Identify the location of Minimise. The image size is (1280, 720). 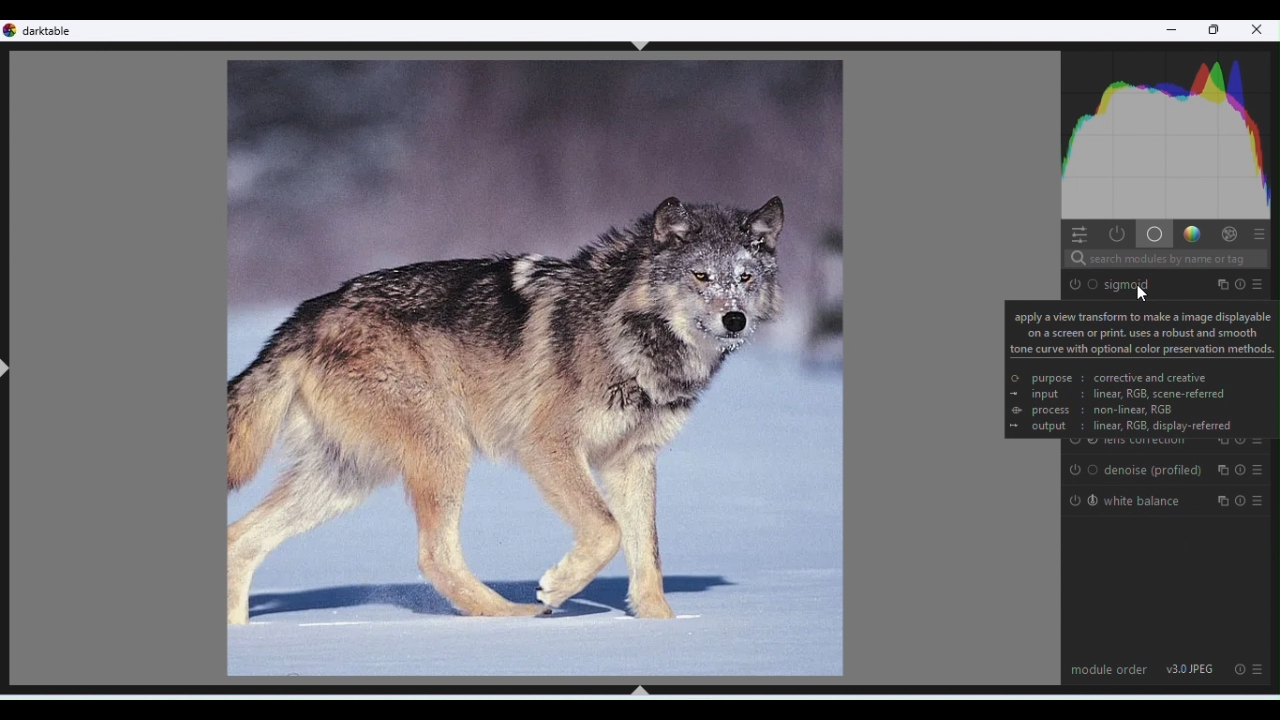
(1171, 33).